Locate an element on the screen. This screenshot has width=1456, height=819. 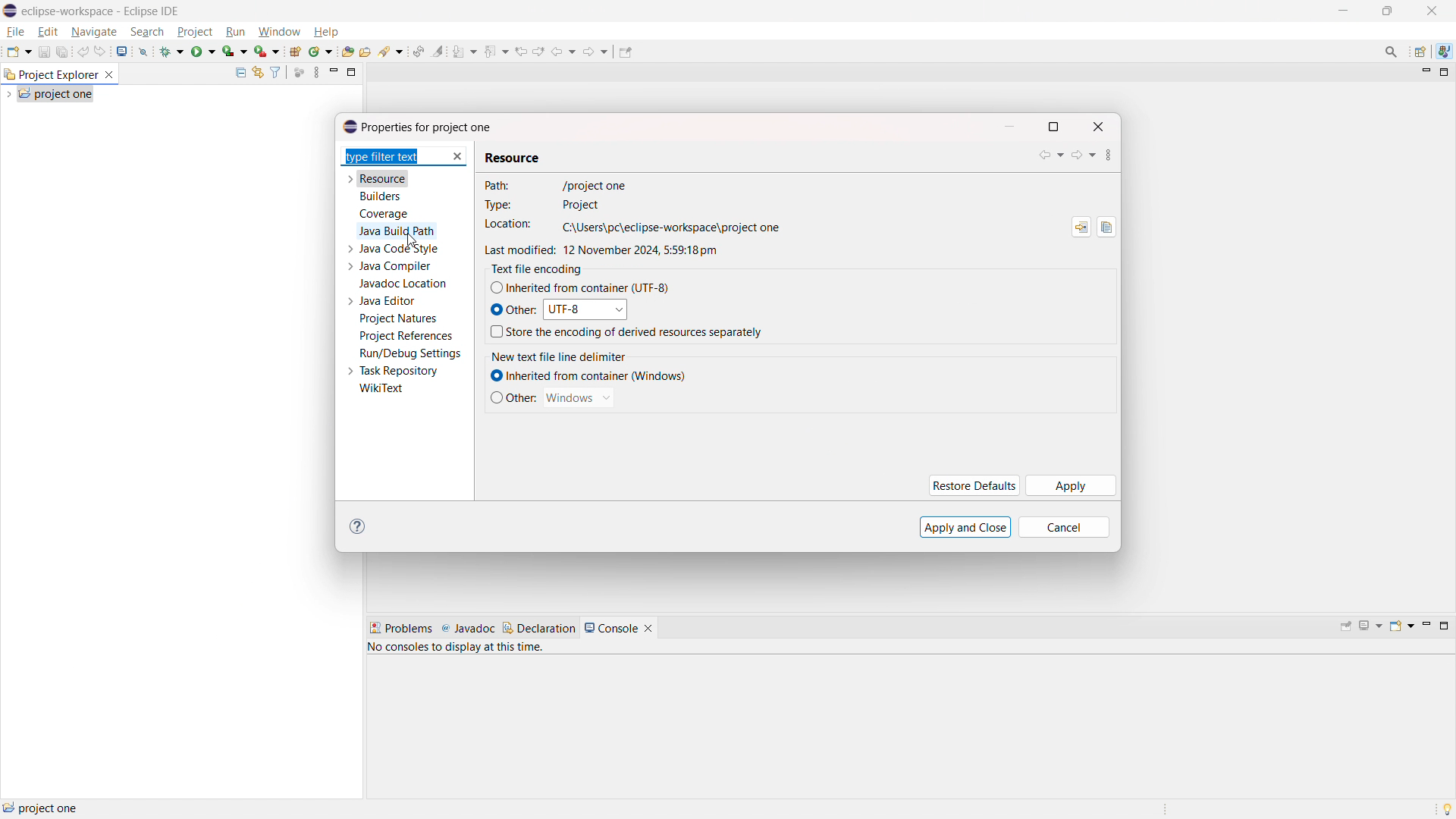
new text file line delimiter  is located at coordinates (572, 354).